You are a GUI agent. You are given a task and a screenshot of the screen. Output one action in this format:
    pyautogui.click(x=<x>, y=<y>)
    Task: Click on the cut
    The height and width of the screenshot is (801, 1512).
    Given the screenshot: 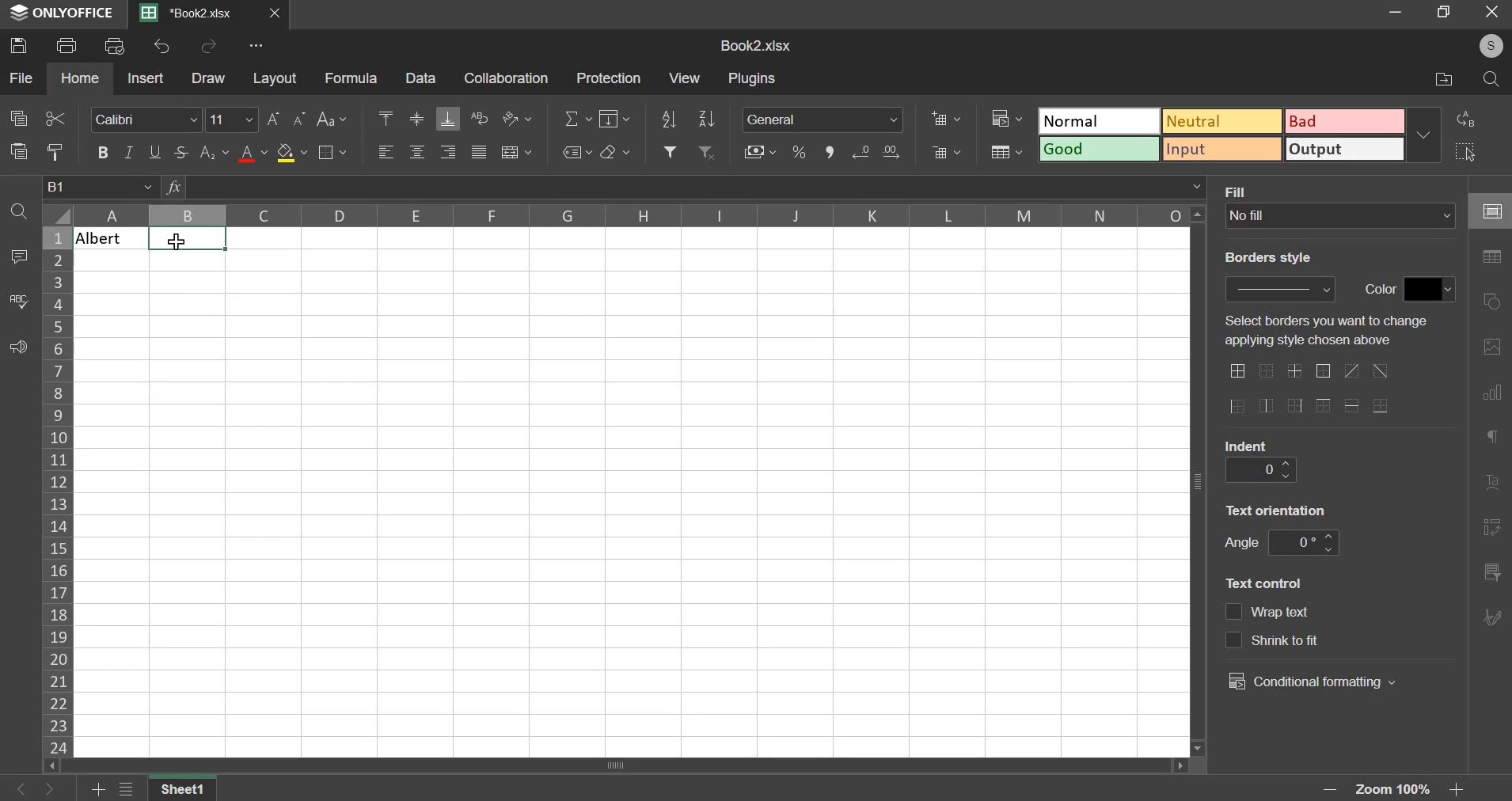 What is the action you would take?
    pyautogui.click(x=55, y=117)
    